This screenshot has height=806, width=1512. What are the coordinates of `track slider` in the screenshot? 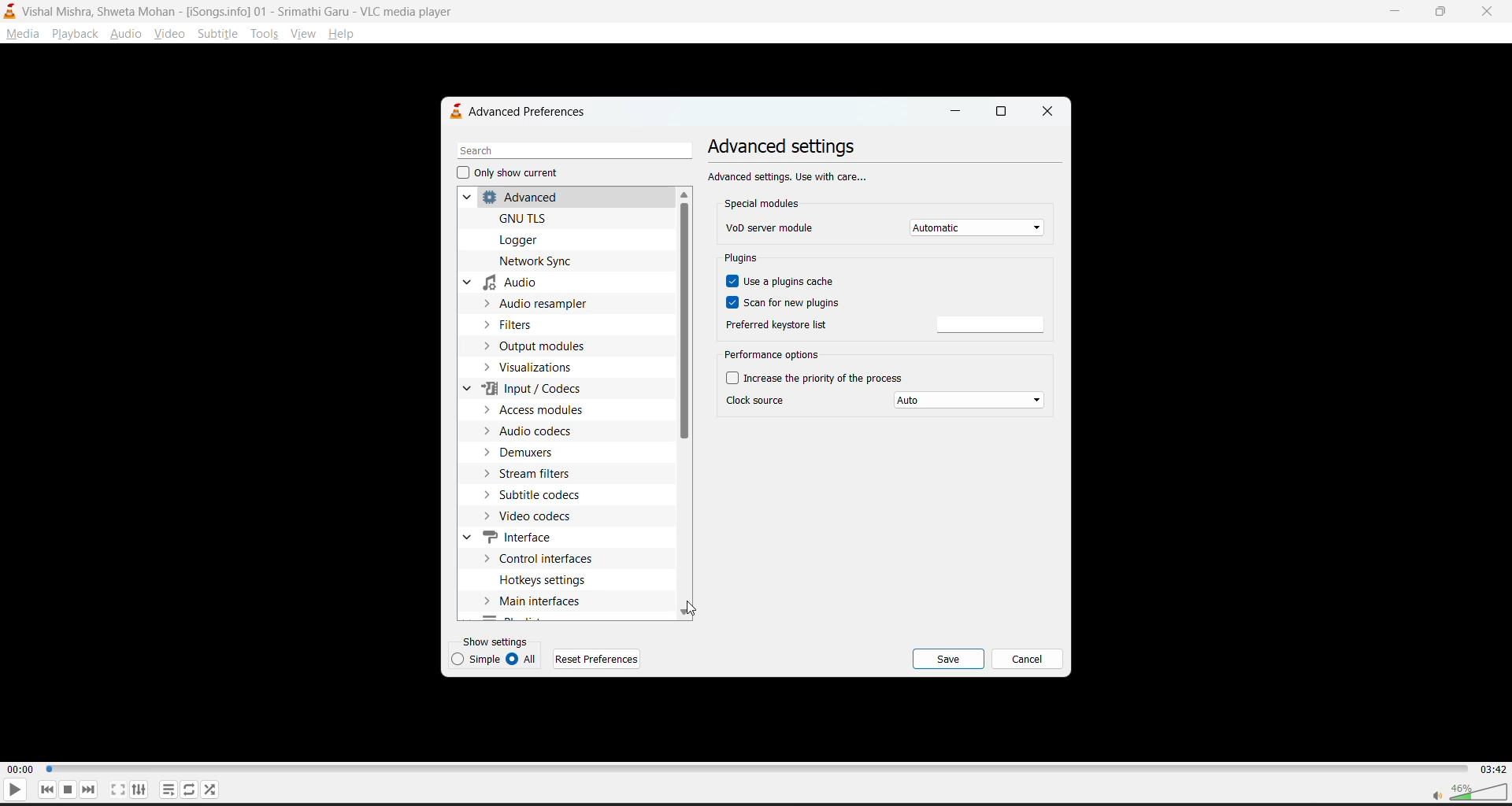 It's located at (754, 767).